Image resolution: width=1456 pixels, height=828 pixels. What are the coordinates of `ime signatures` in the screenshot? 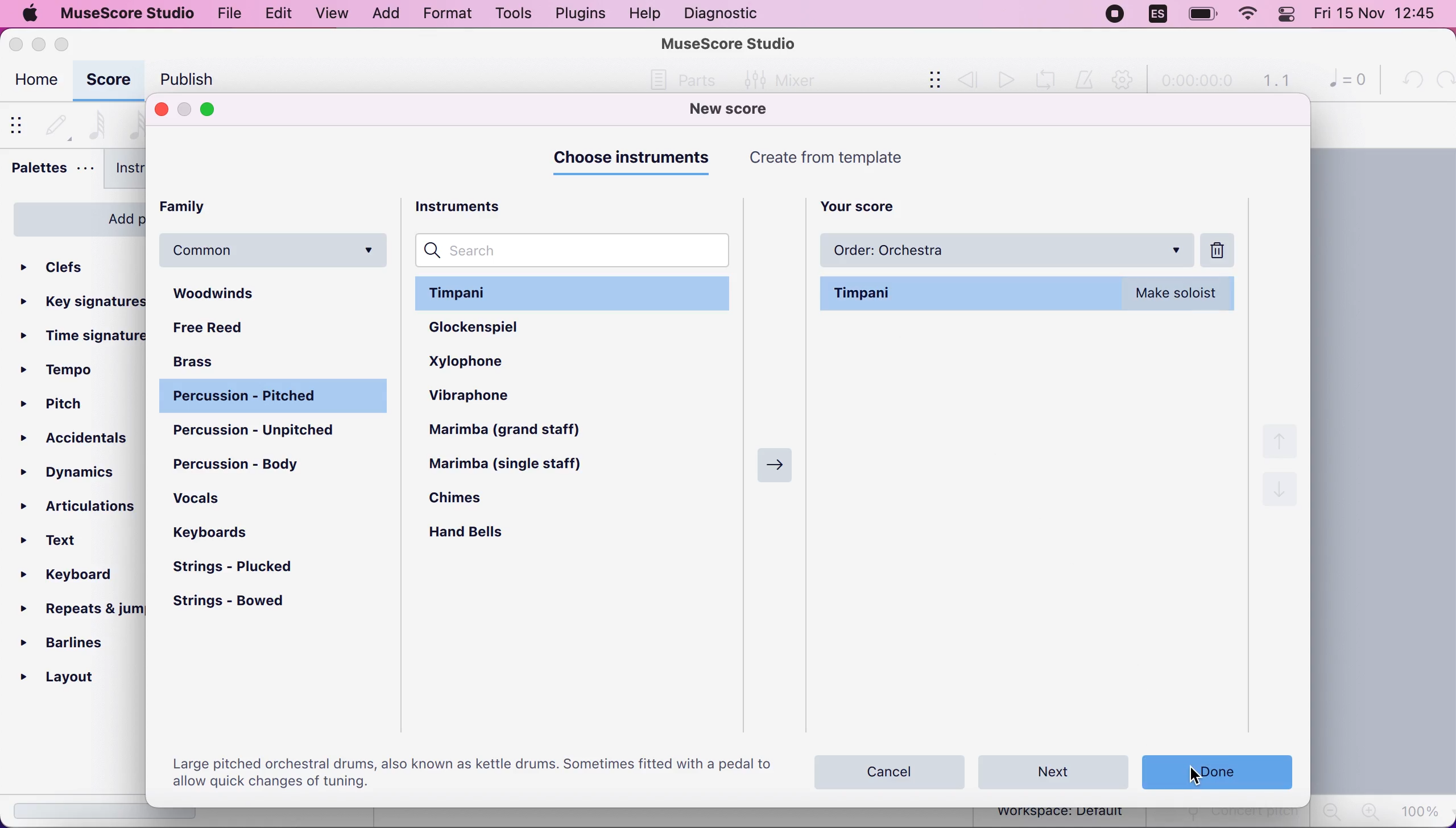 It's located at (84, 337).